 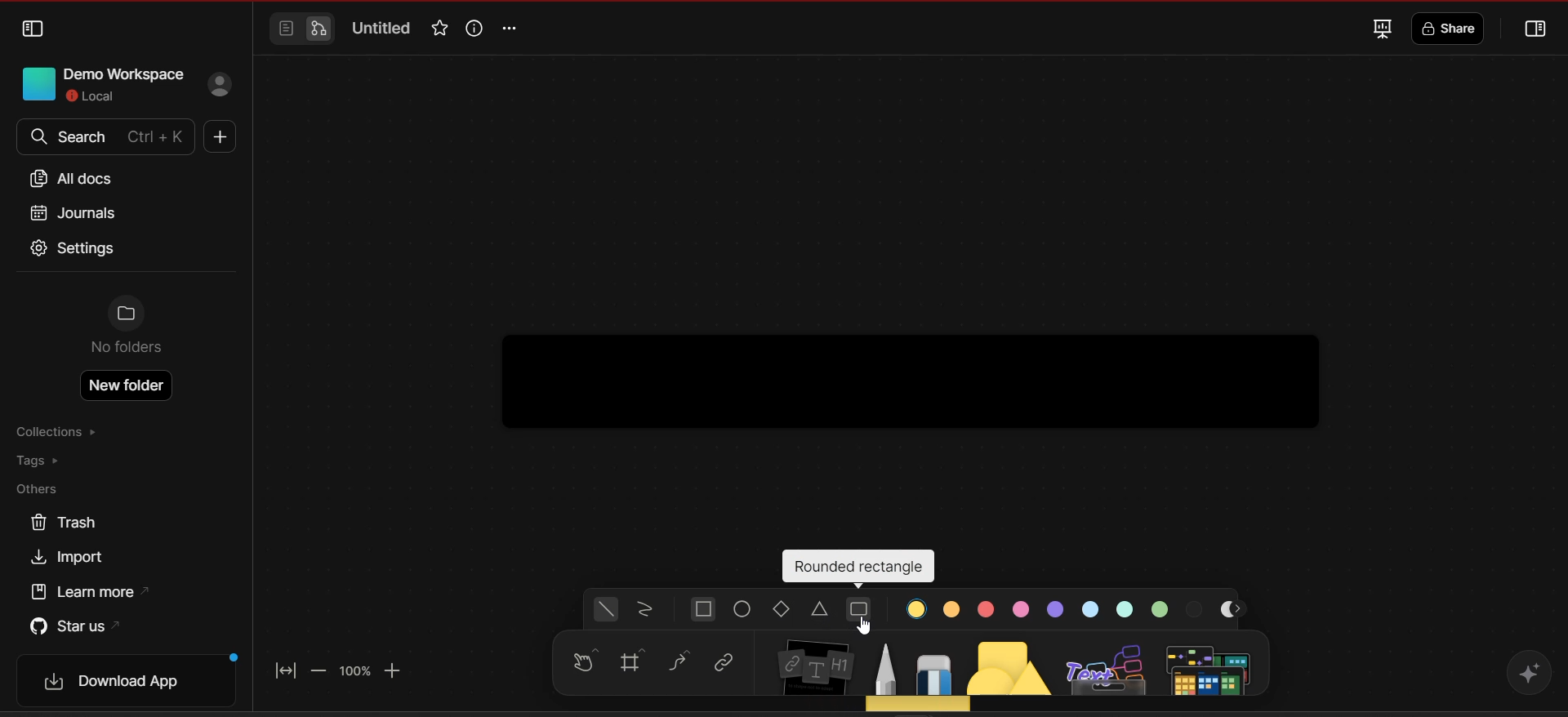 I want to click on color 4, so click(x=1020, y=609).